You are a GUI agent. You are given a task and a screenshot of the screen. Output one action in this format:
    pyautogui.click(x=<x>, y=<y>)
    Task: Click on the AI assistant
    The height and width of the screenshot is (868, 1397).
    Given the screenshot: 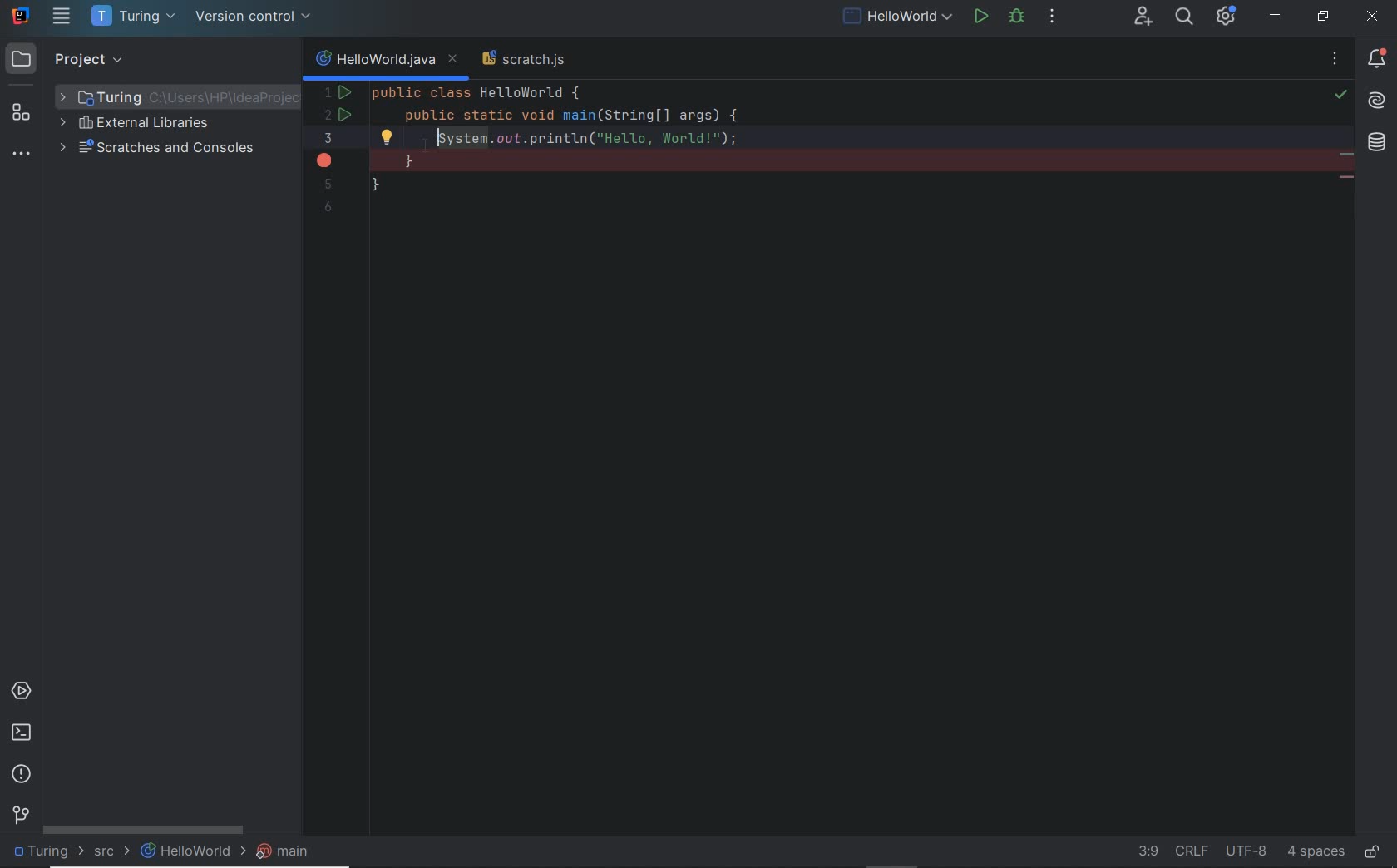 What is the action you would take?
    pyautogui.click(x=1377, y=99)
    